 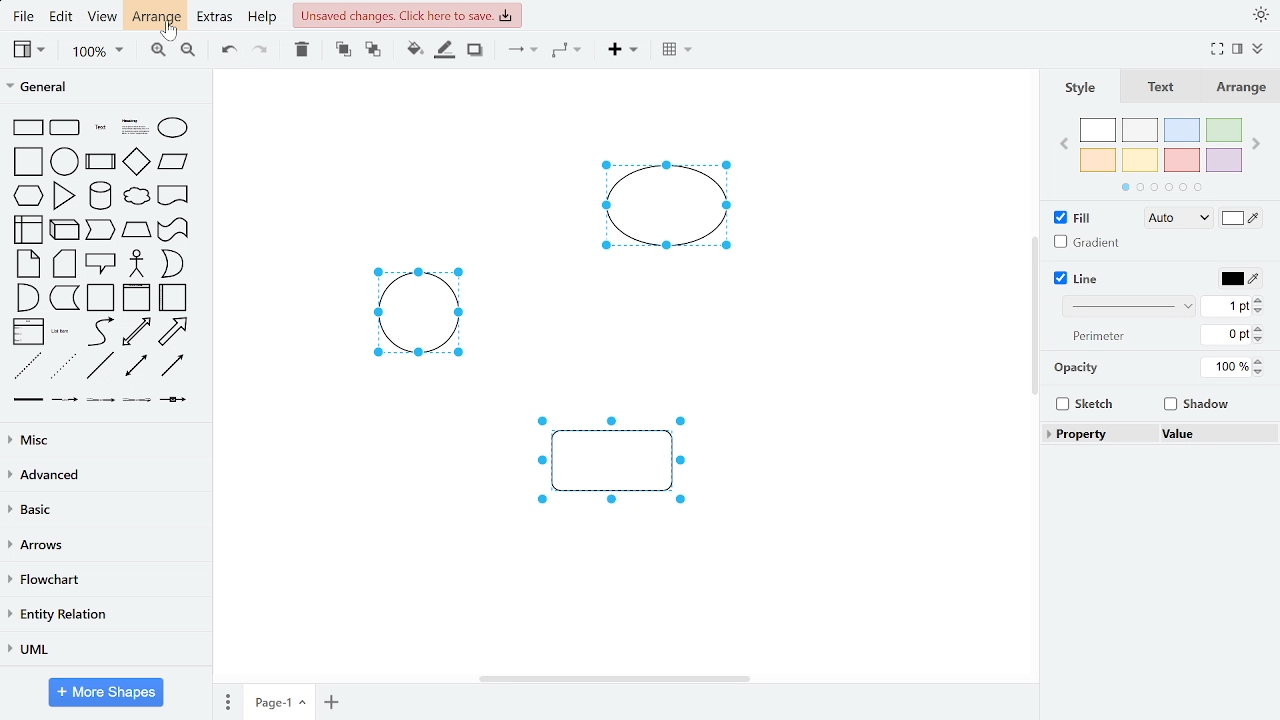 What do you see at coordinates (101, 511) in the screenshot?
I see `basic` at bounding box center [101, 511].